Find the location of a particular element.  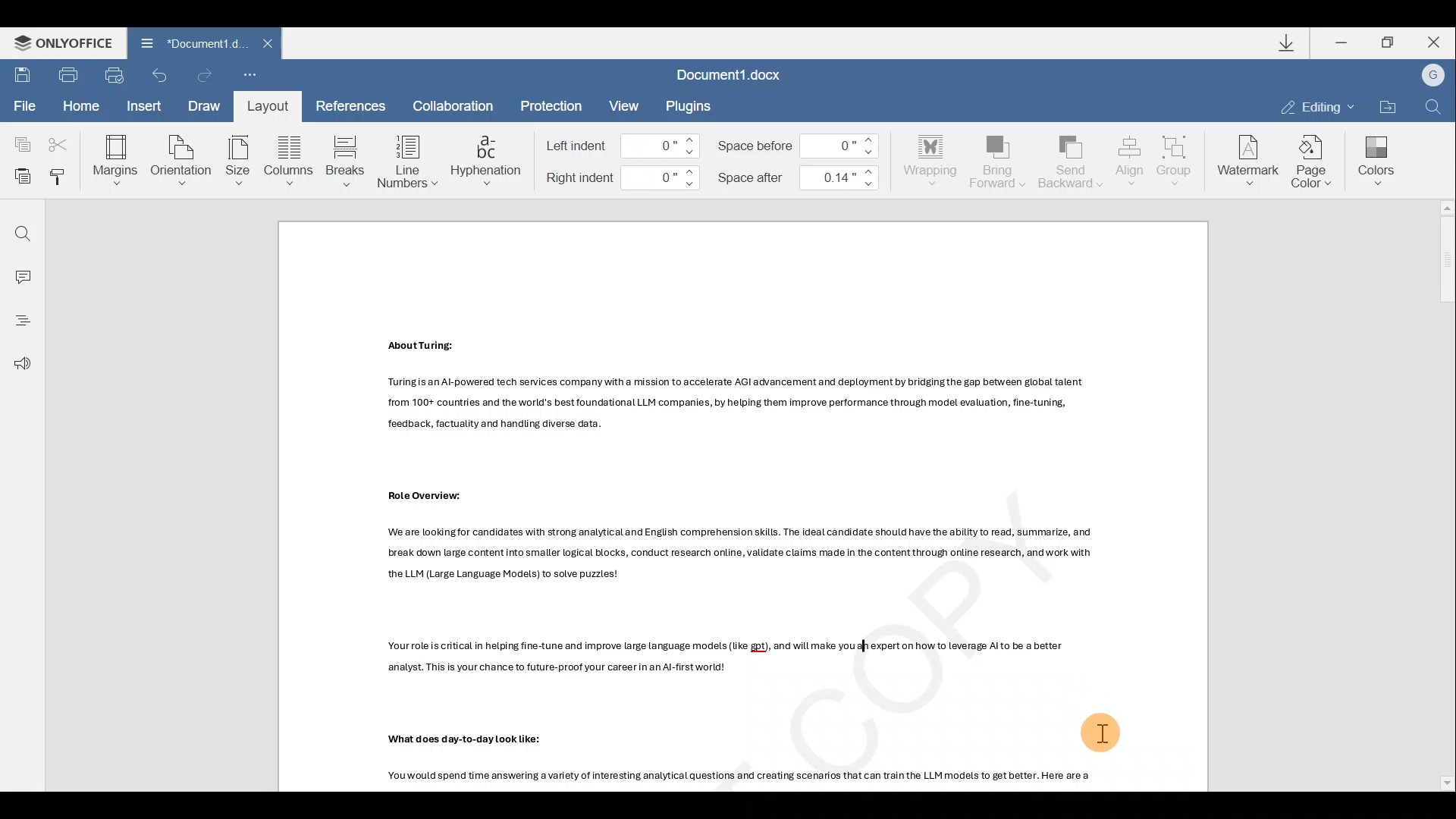

Find is located at coordinates (21, 229).